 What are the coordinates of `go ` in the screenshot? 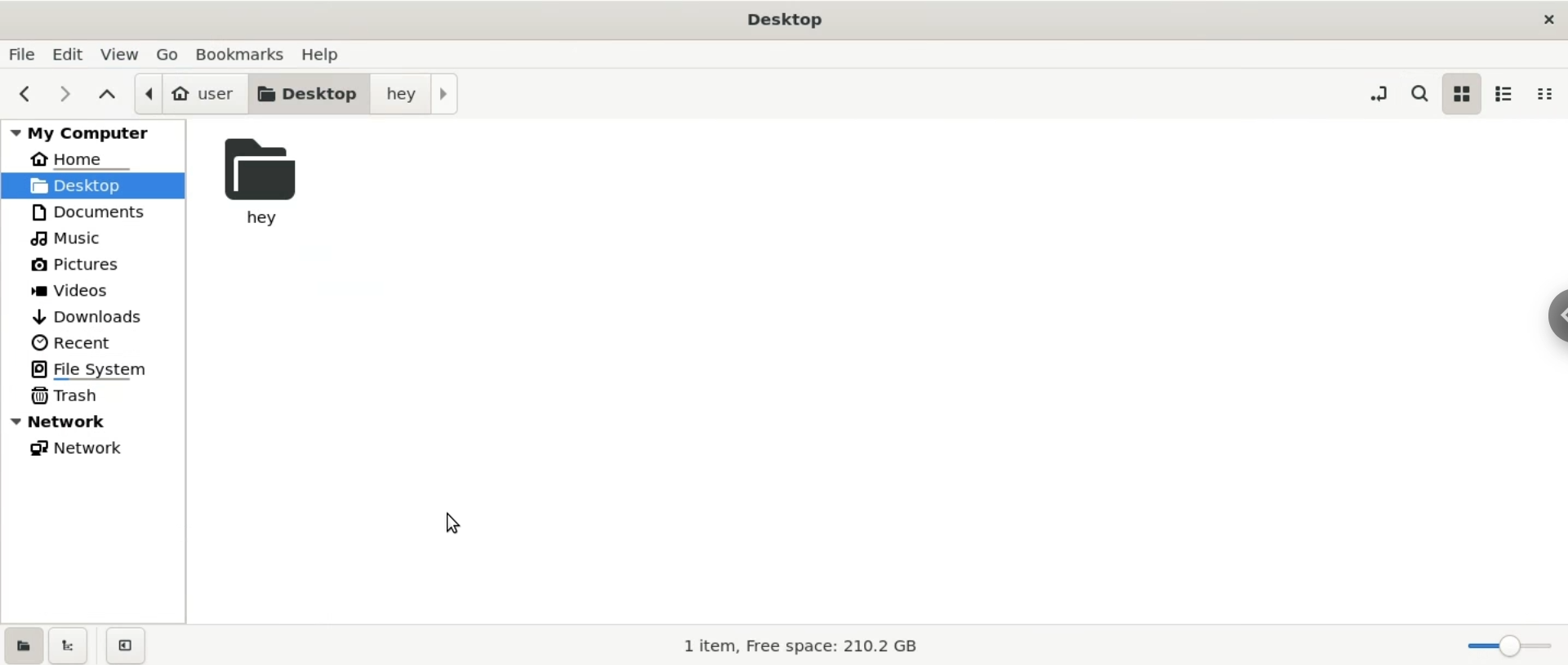 It's located at (172, 54).